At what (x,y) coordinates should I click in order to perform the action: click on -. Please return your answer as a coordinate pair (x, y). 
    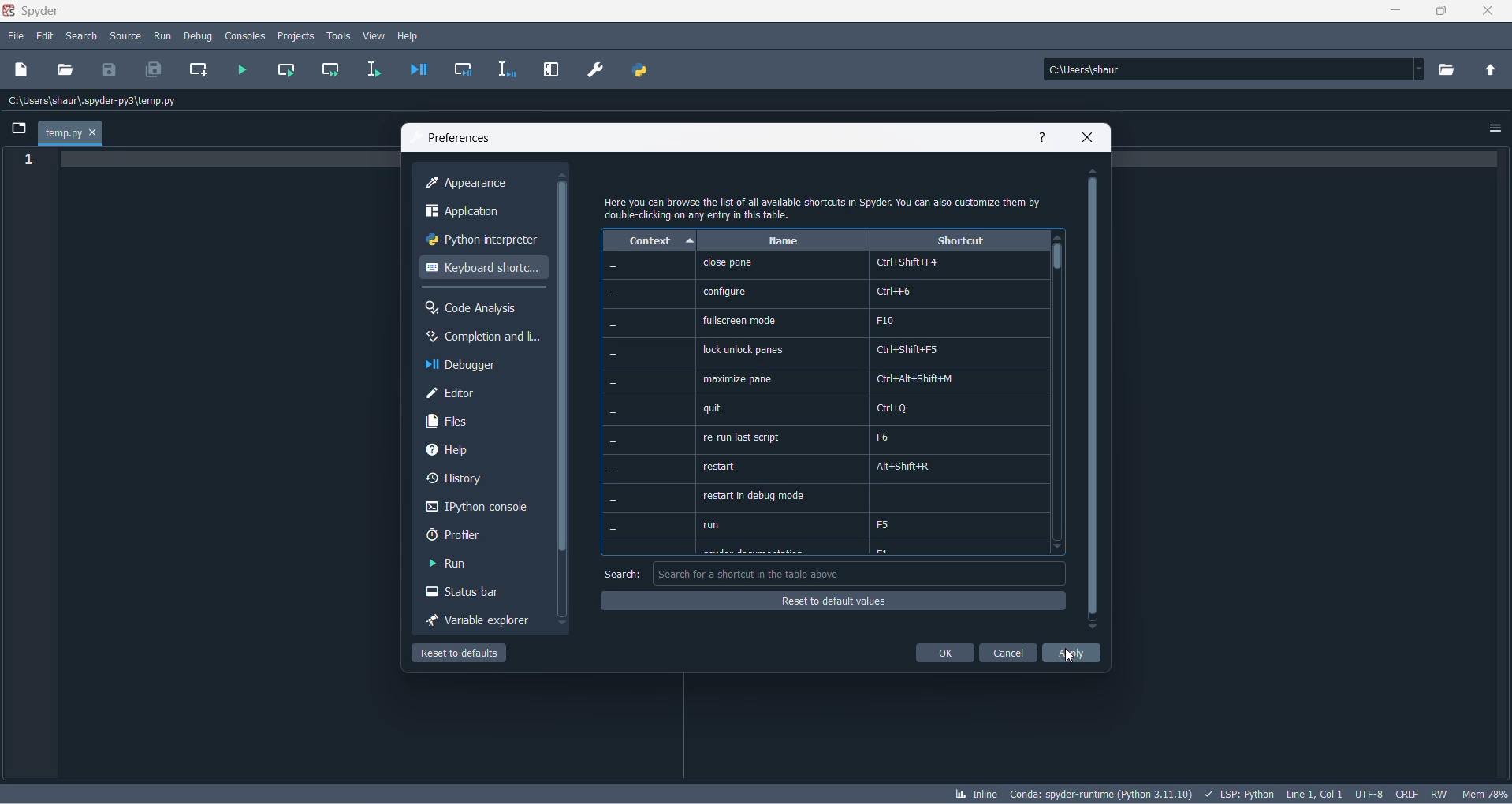
    Looking at the image, I should click on (613, 441).